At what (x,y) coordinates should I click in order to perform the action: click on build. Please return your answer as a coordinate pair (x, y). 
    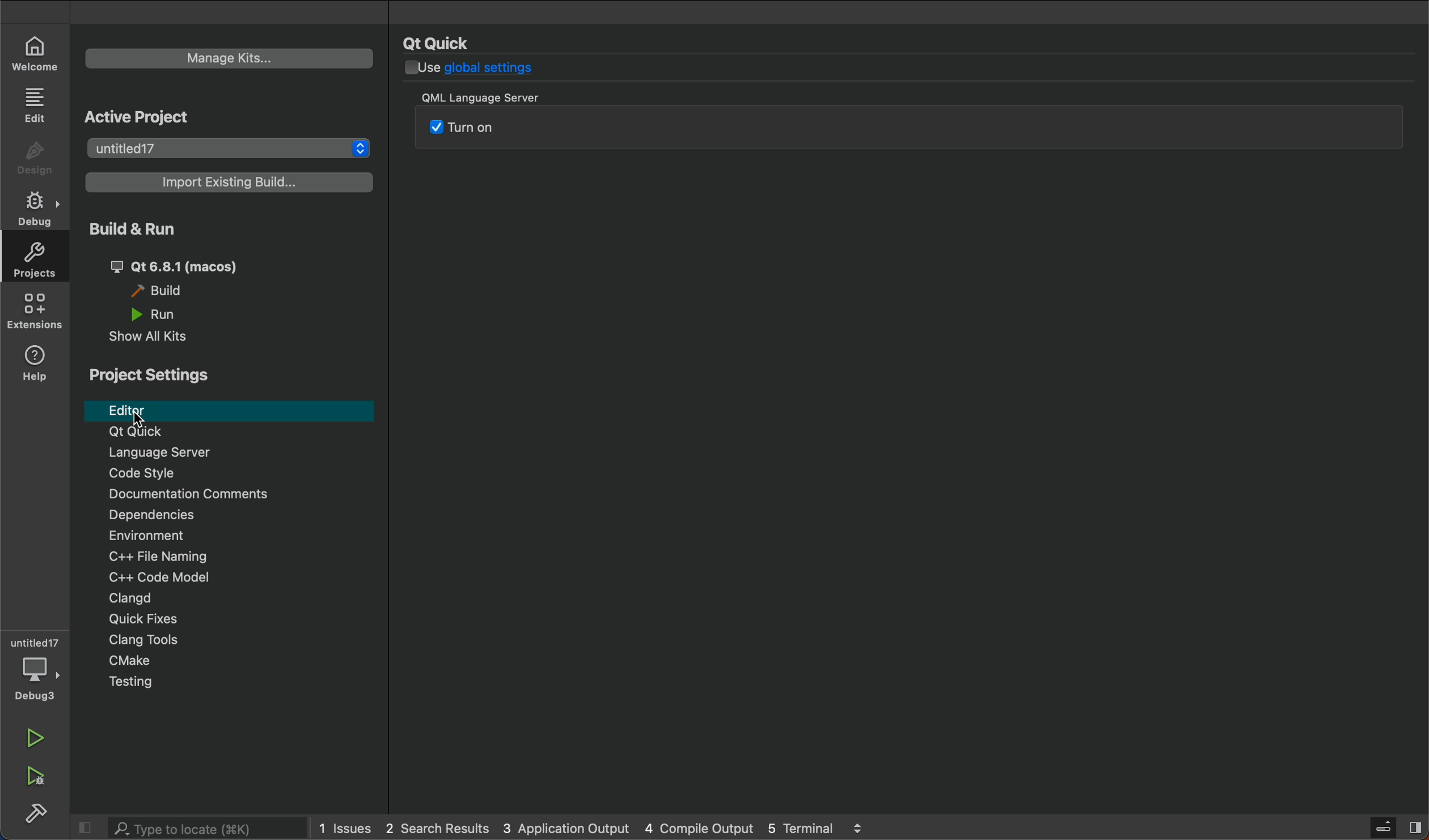
    Looking at the image, I should click on (40, 813).